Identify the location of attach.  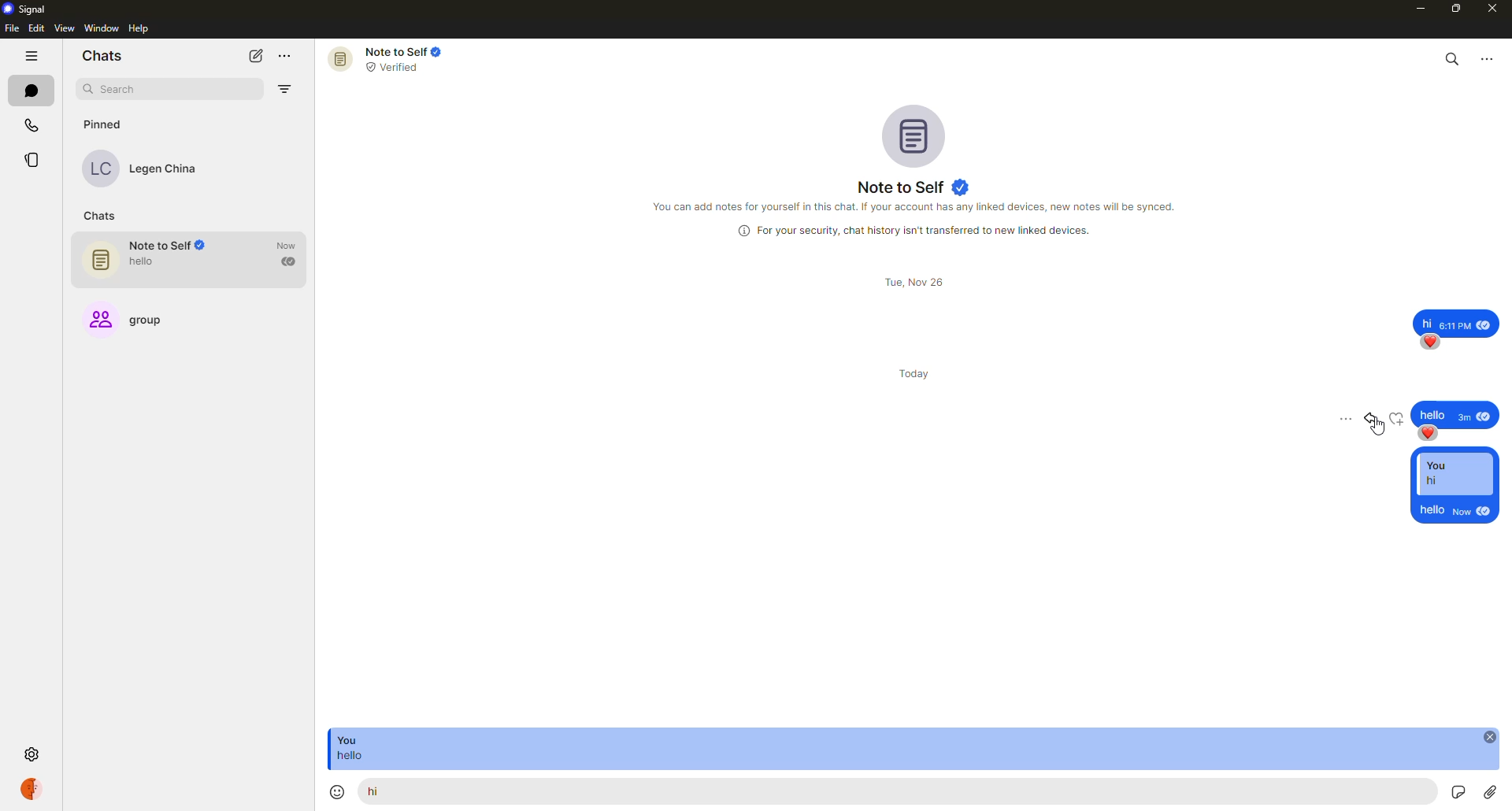
(1492, 791).